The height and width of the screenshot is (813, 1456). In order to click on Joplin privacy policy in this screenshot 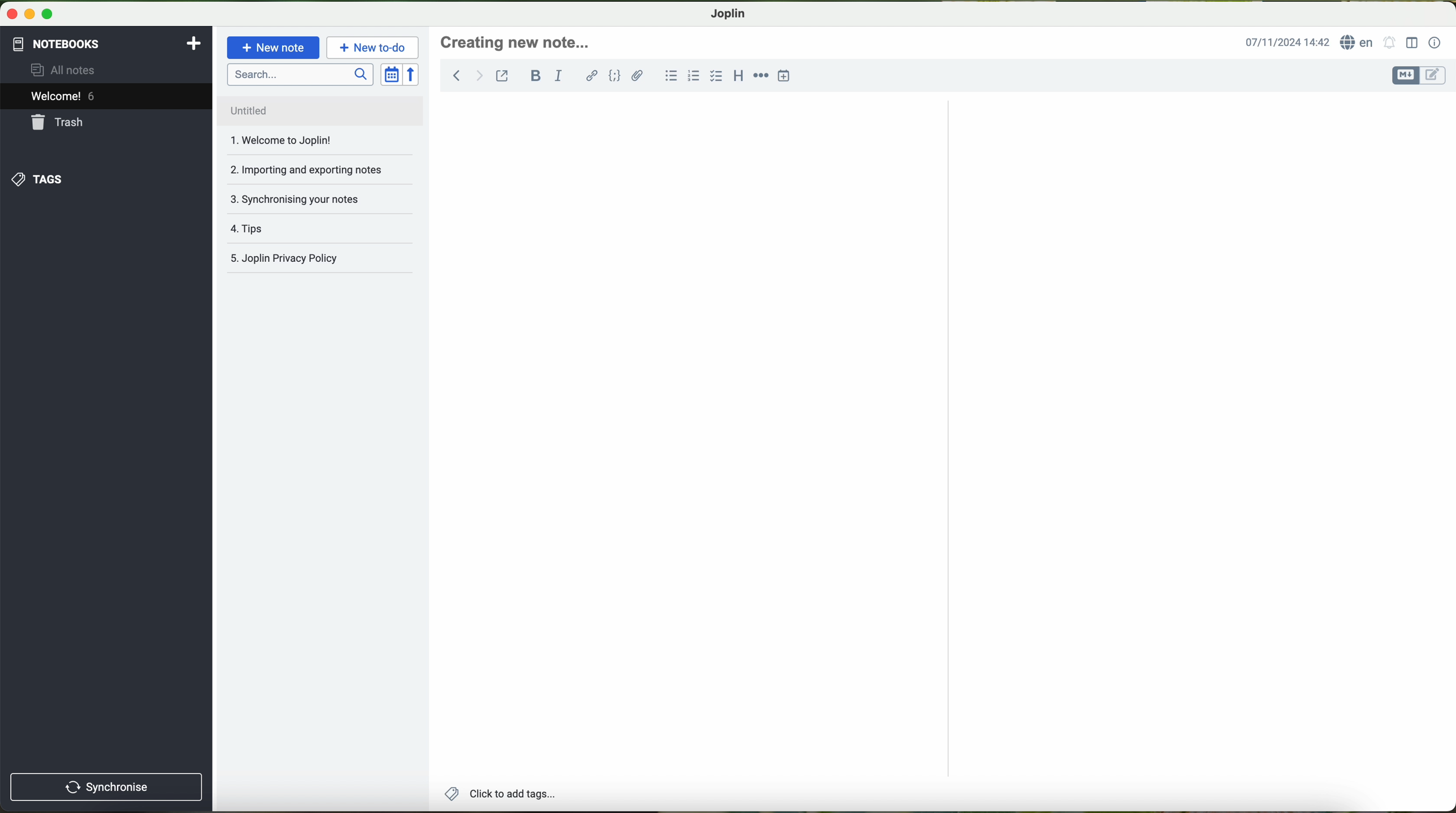, I will do `click(315, 259)`.